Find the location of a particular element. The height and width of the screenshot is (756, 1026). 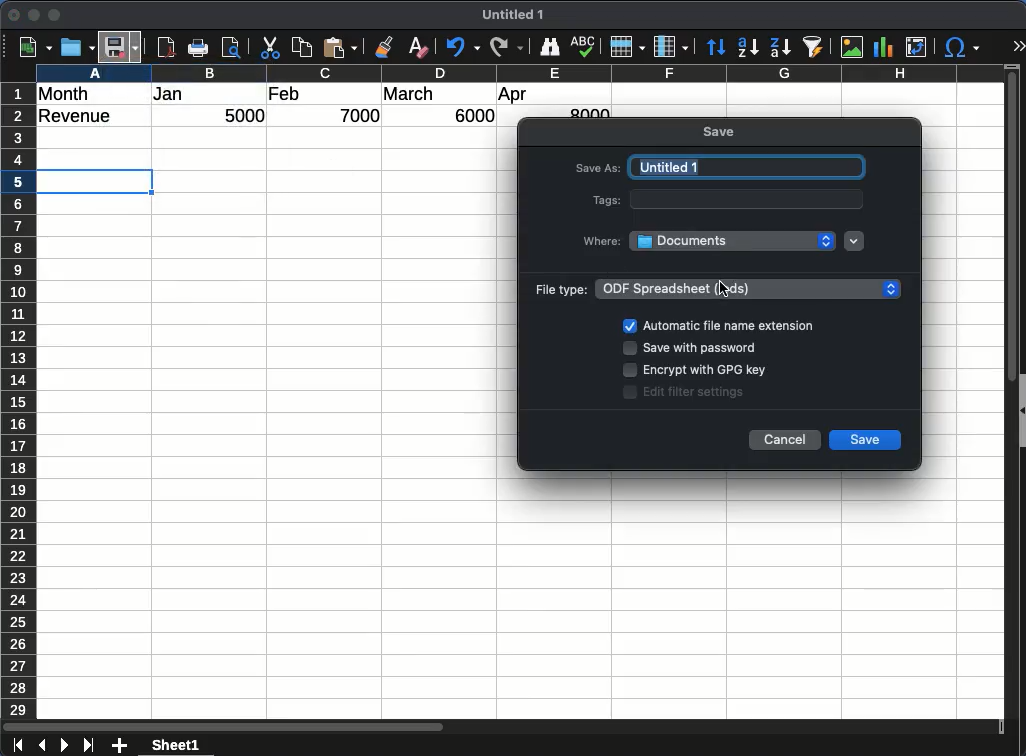

undo is located at coordinates (460, 48).